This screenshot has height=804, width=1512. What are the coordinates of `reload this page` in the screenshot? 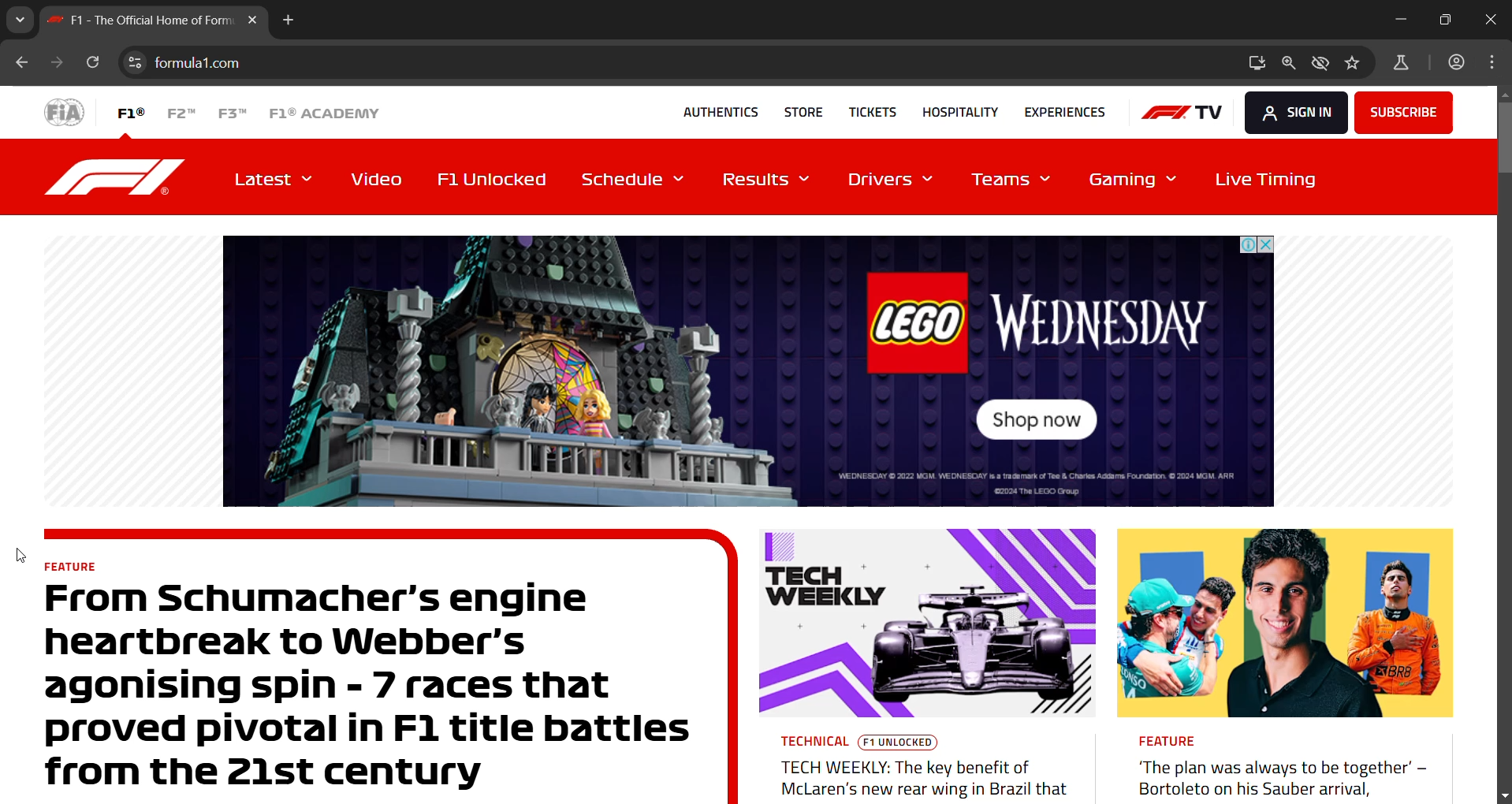 It's located at (91, 65).